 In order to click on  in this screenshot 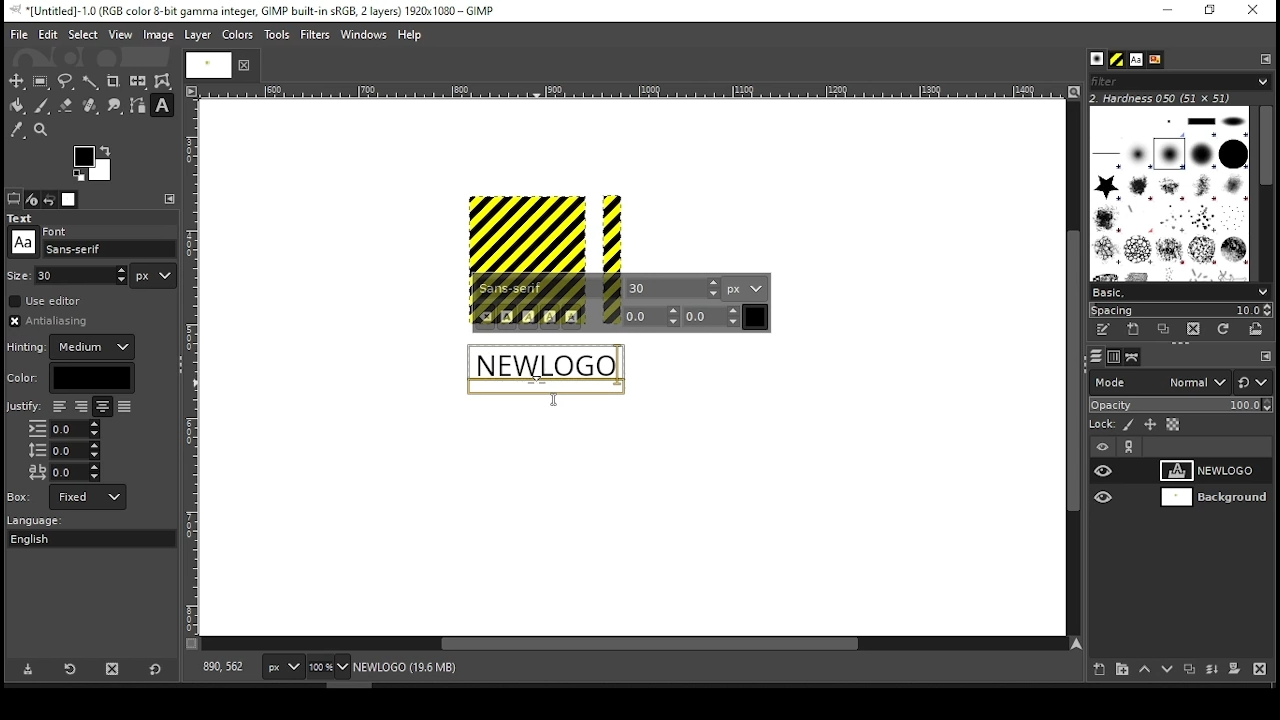, I will do `click(23, 242)`.